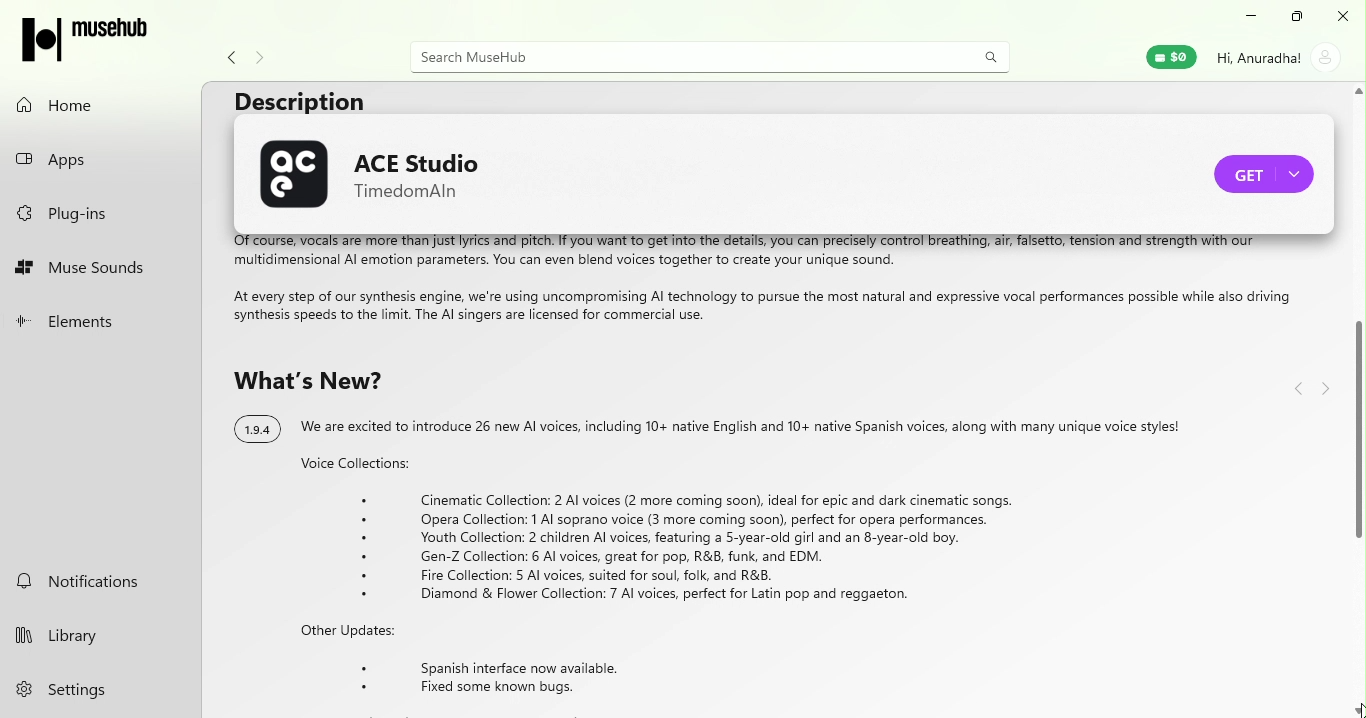  What do you see at coordinates (102, 158) in the screenshot?
I see `apps` at bounding box center [102, 158].